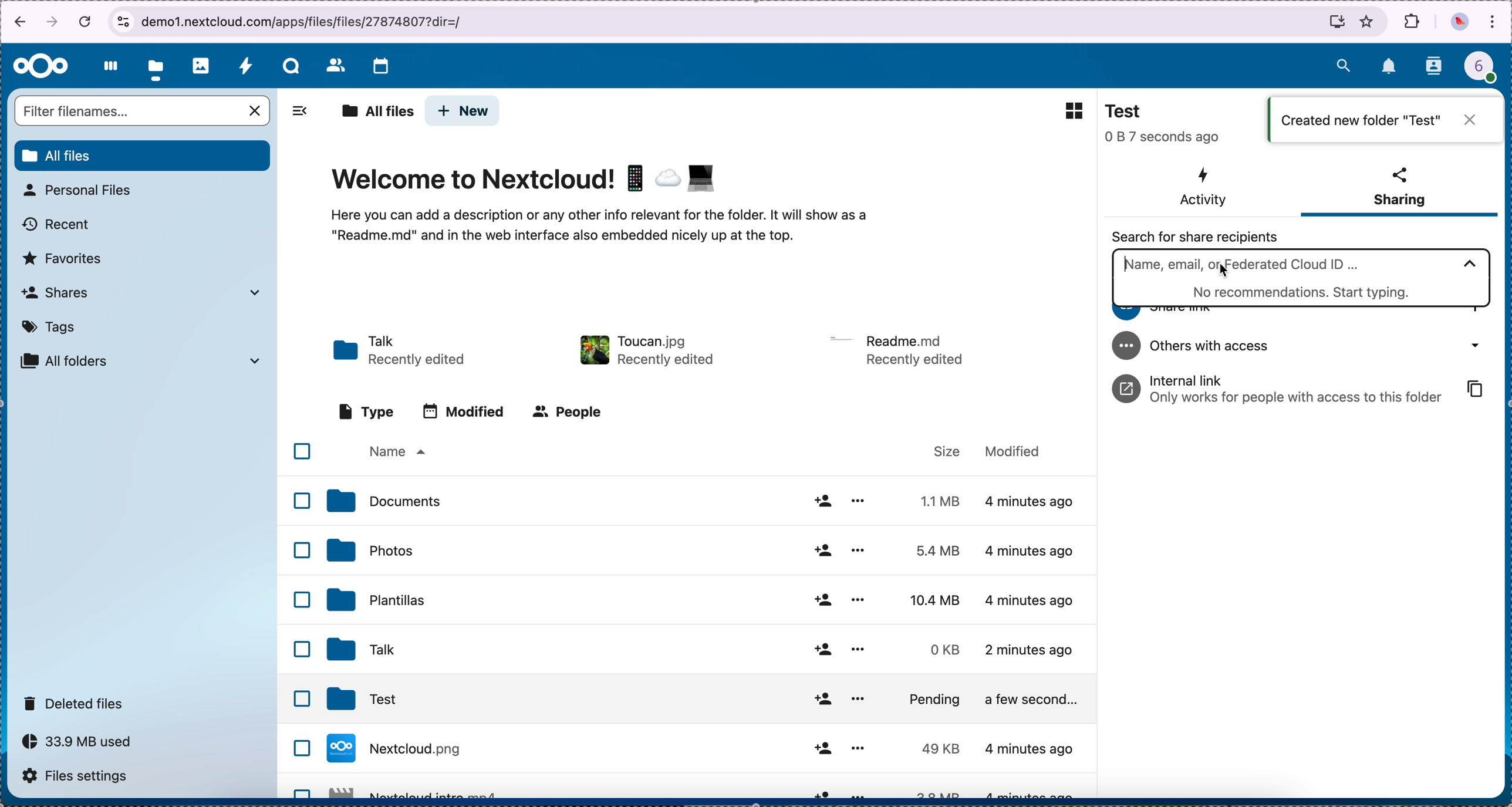 The image size is (1512, 807). Describe the element at coordinates (713, 700) in the screenshot. I see `Test folder` at that location.